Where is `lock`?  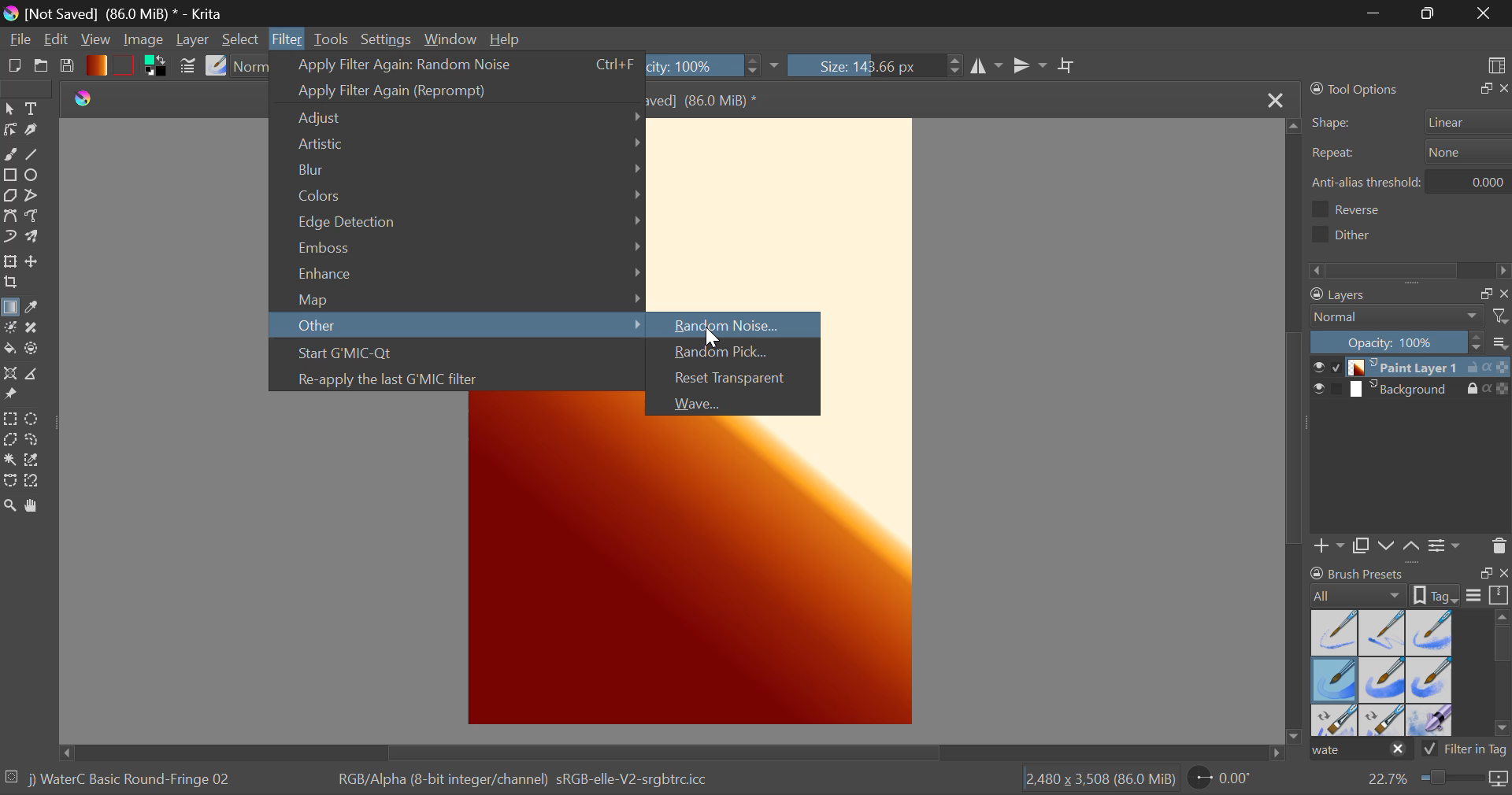
lock is located at coordinates (1475, 369).